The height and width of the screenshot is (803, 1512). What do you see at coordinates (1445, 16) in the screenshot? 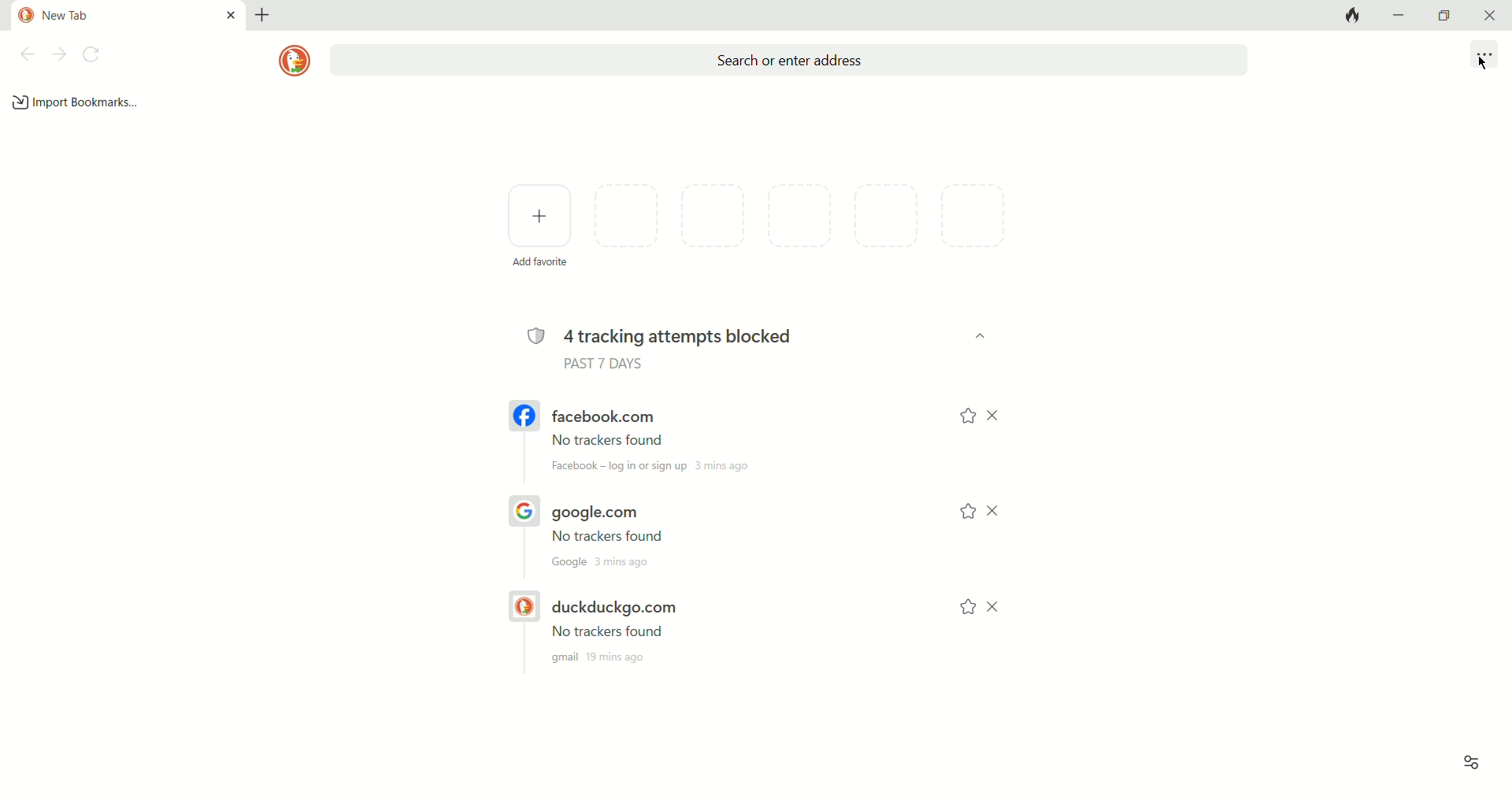
I see `maximize` at bounding box center [1445, 16].